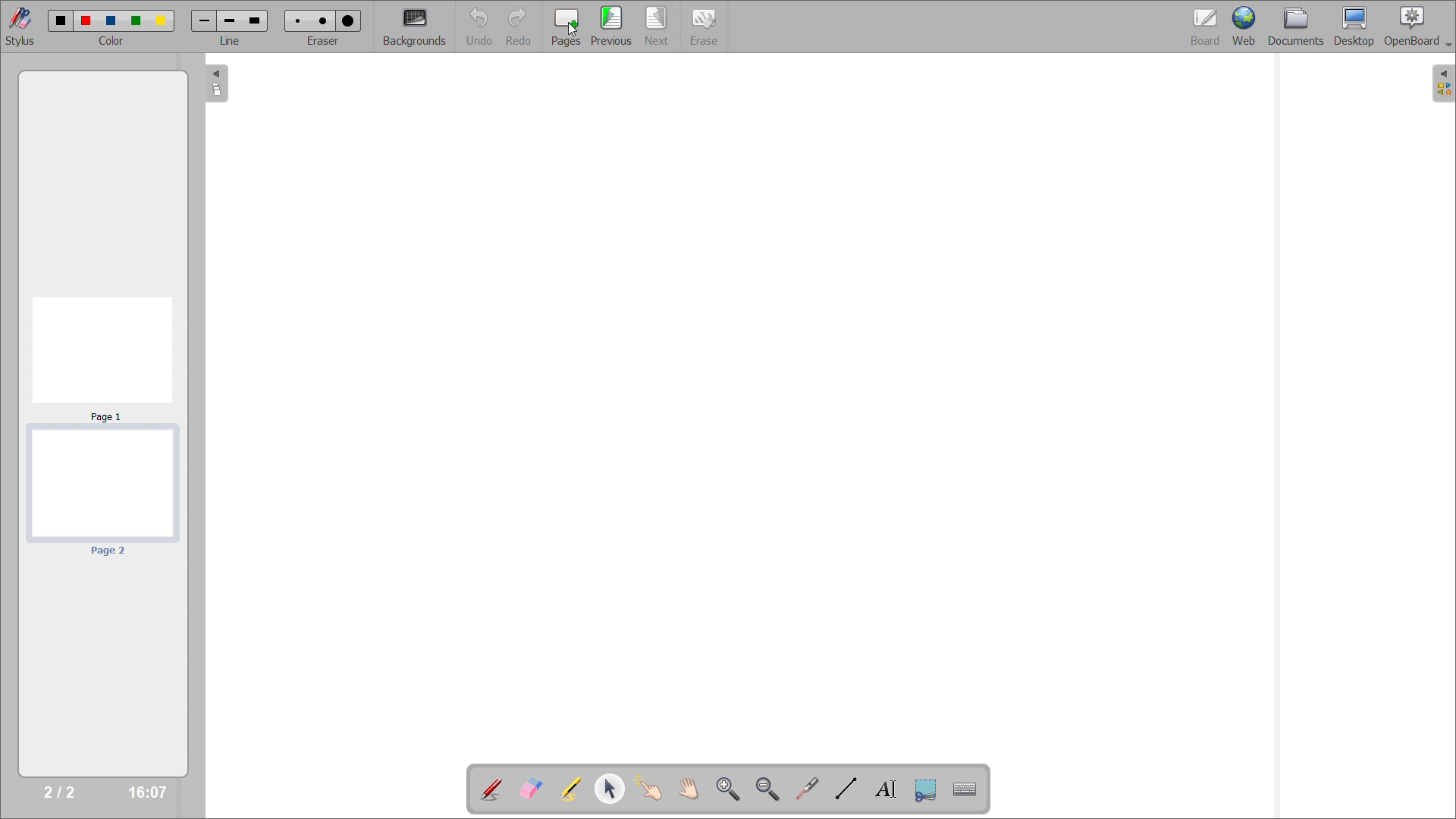 This screenshot has width=1456, height=819. Describe the element at coordinates (519, 27) in the screenshot. I see `redo` at that location.